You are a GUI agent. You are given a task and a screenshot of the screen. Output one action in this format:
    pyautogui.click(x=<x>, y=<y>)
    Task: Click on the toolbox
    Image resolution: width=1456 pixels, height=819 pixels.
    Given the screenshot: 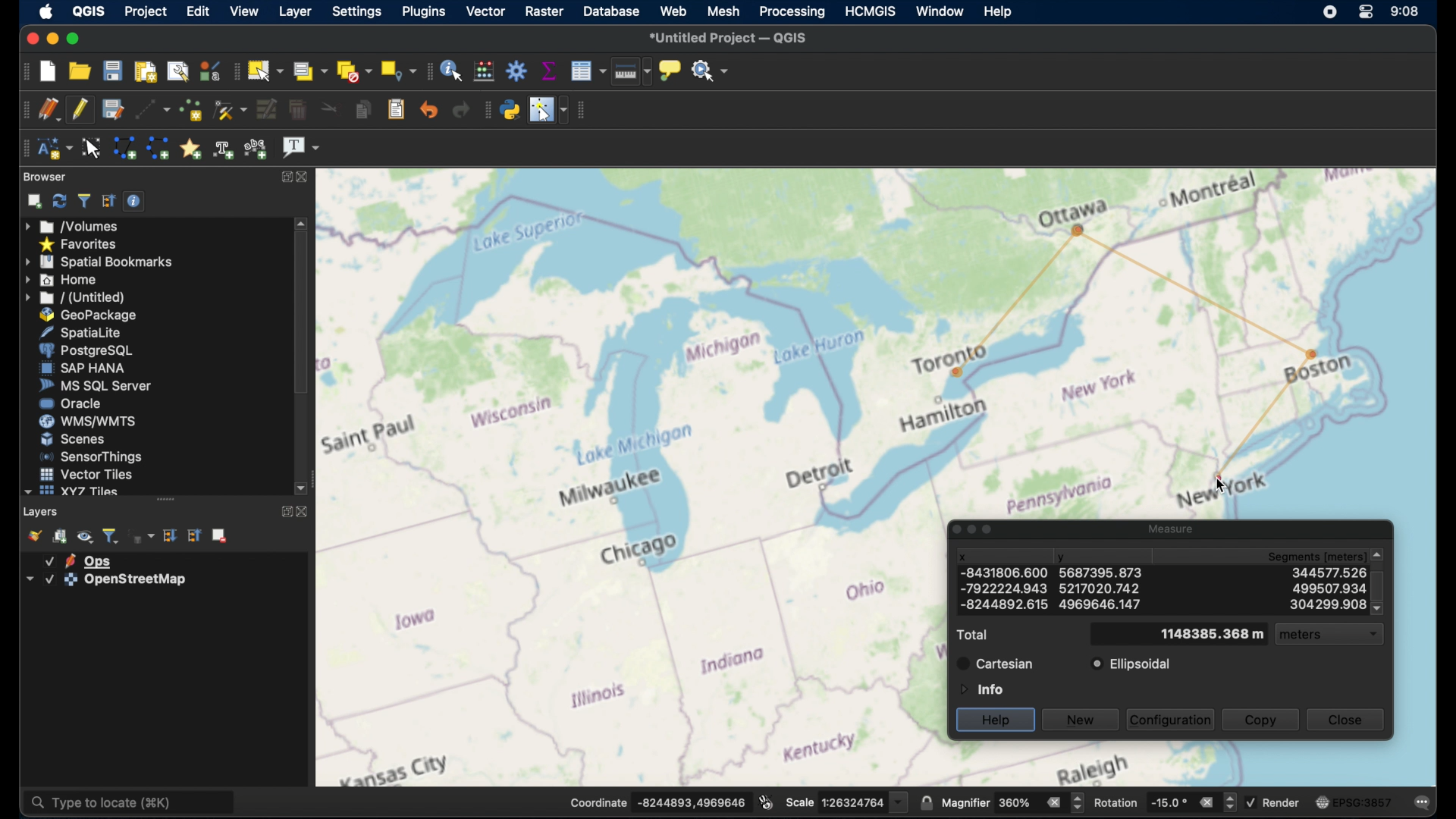 What is the action you would take?
    pyautogui.click(x=518, y=70)
    